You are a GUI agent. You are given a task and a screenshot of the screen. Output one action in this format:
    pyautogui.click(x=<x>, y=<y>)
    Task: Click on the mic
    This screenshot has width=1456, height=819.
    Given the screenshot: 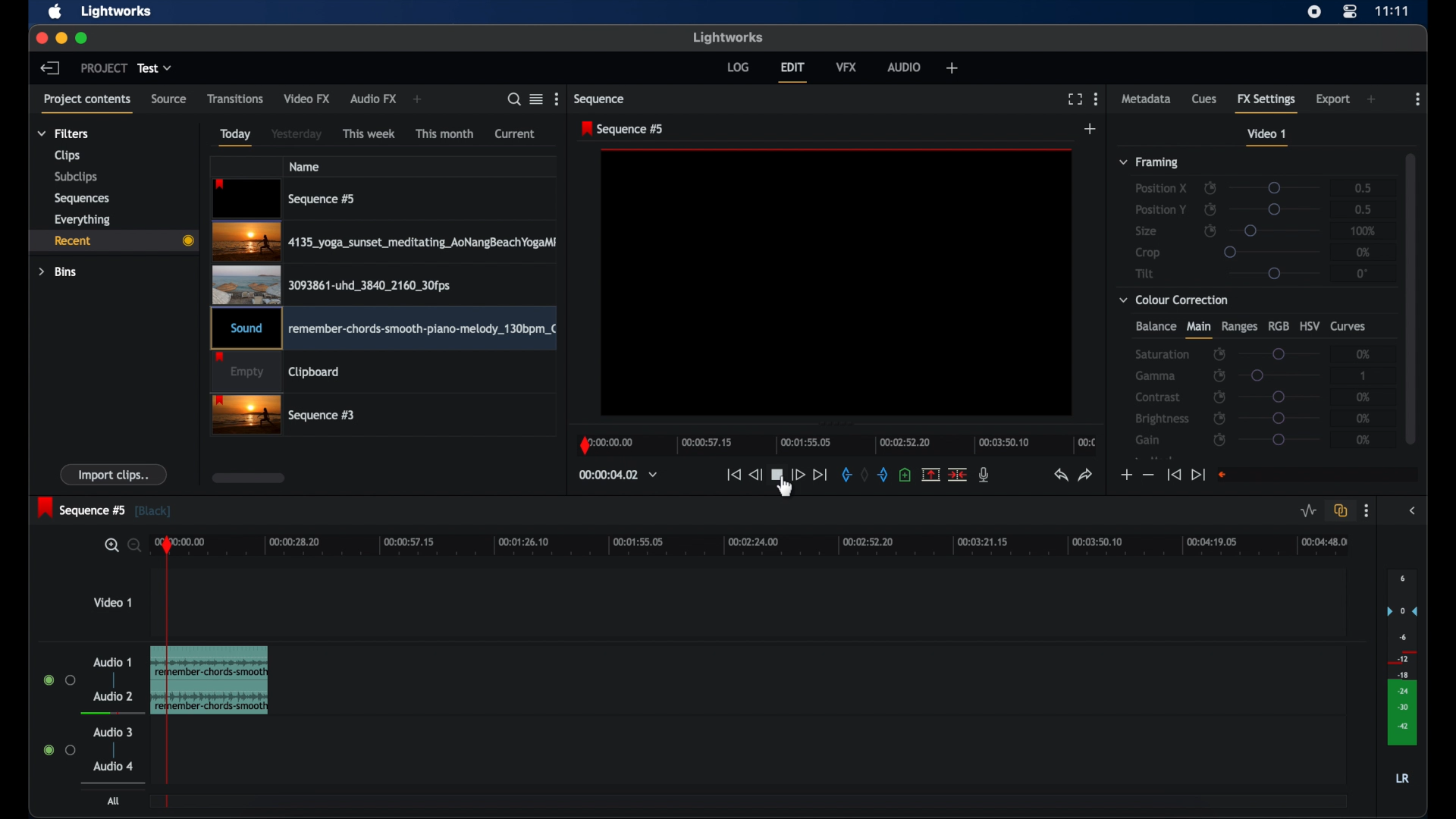 What is the action you would take?
    pyautogui.click(x=984, y=475)
    